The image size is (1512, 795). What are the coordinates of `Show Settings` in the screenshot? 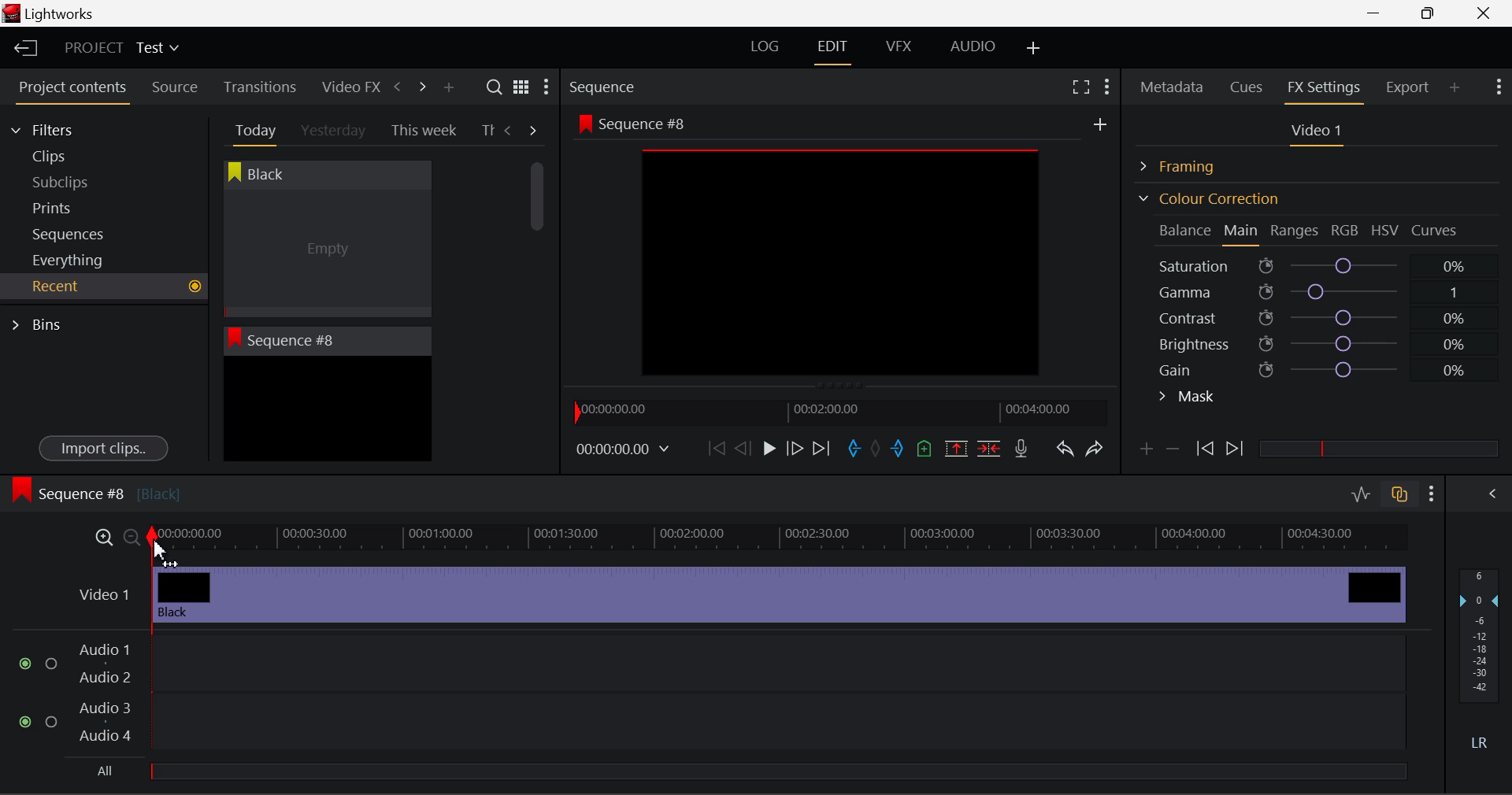 It's located at (1106, 84).